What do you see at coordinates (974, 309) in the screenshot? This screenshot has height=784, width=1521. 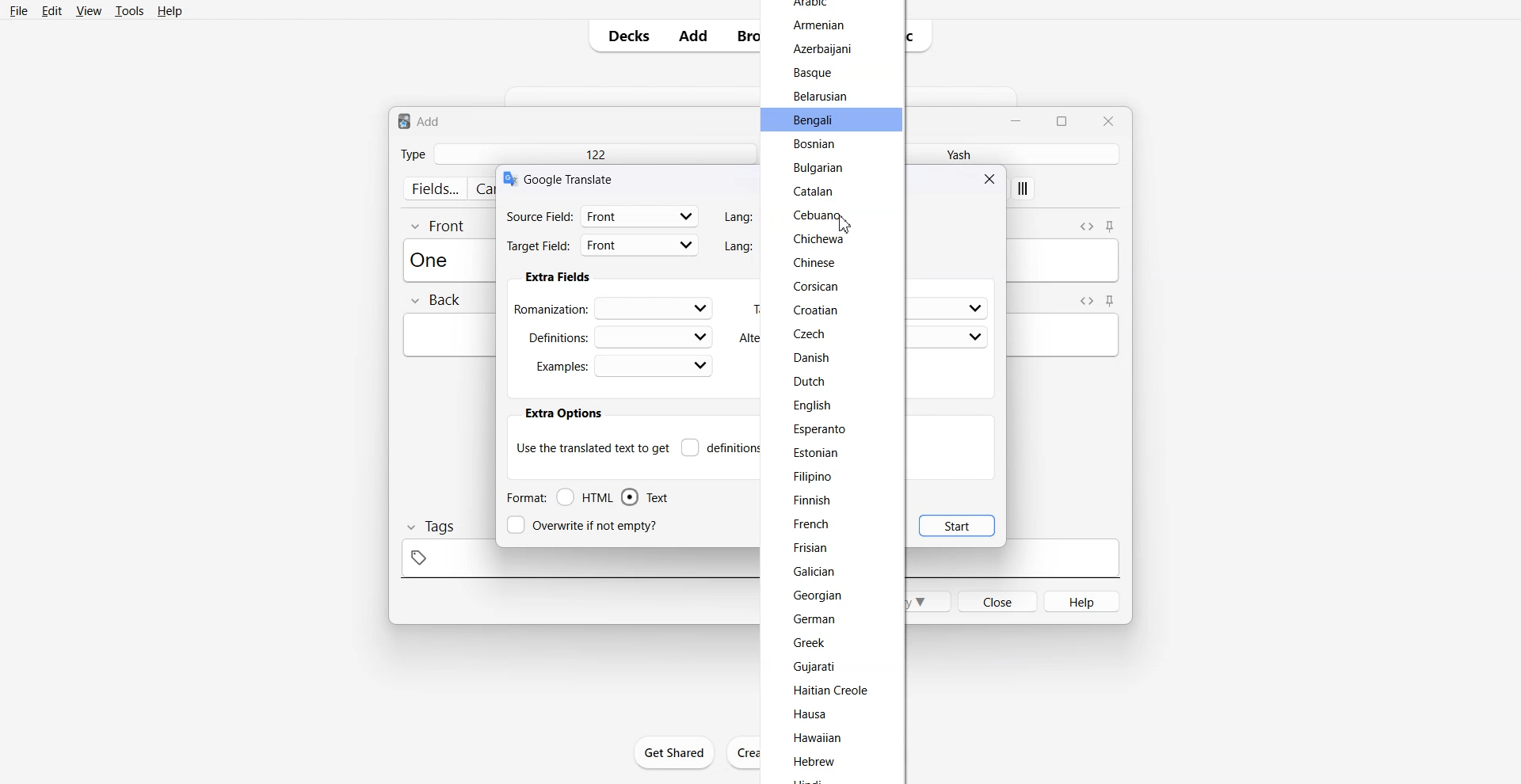 I see `dropdown` at bounding box center [974, 309].